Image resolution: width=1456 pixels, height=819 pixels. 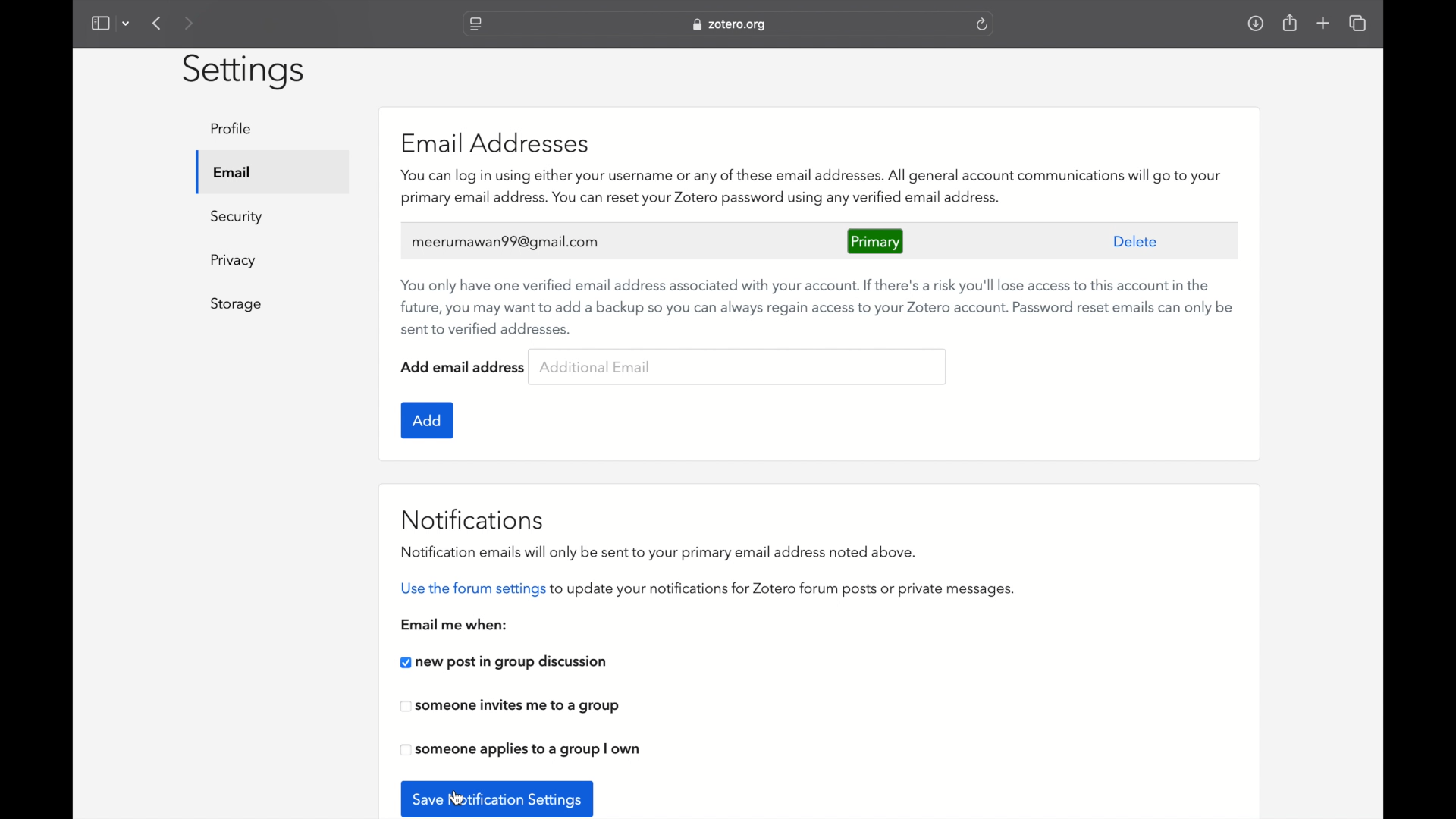 What do you see at coordinates (1382, 394) in the screenshot?
I see `scroll box` at bounding box center [1382, 394].